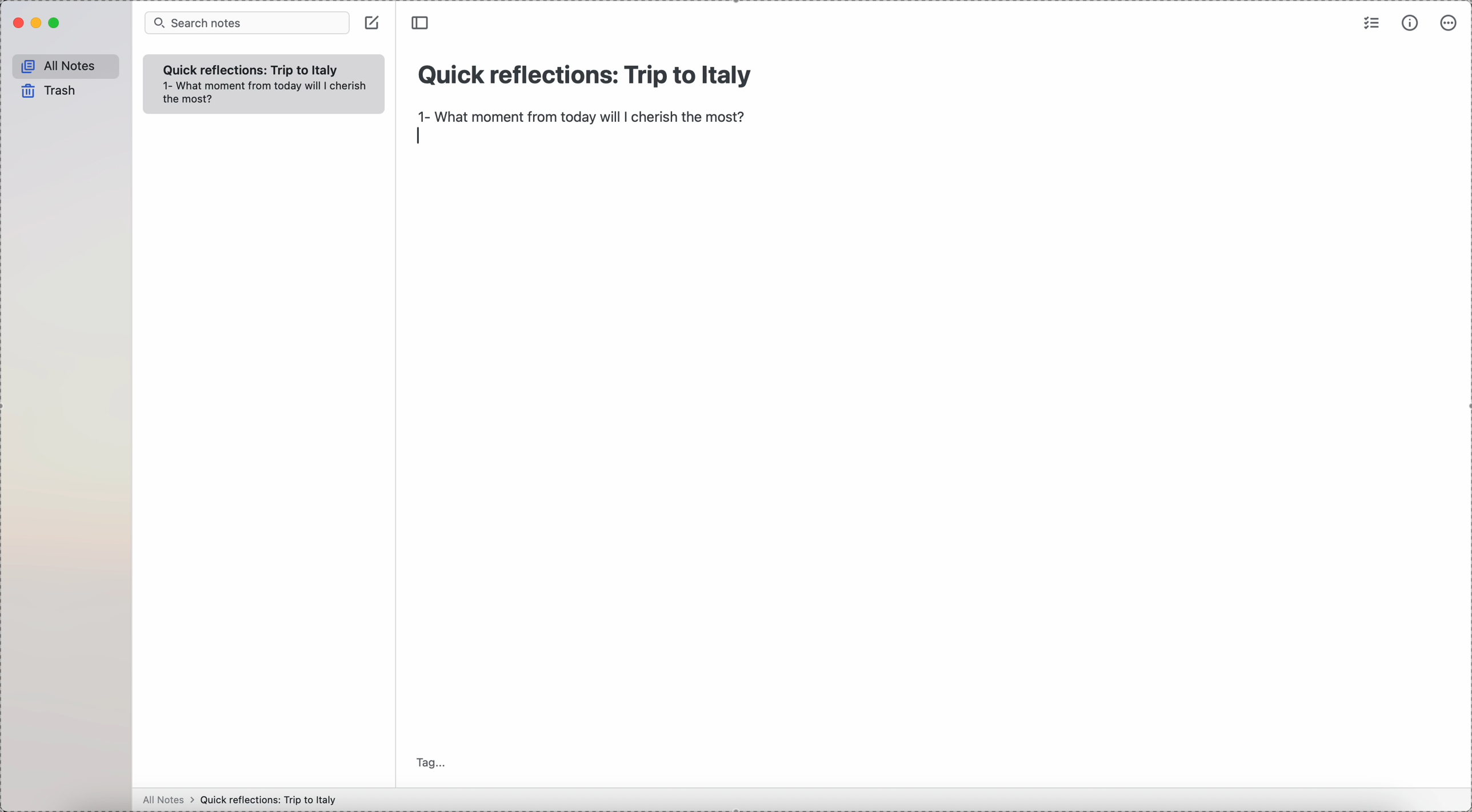  What do you see at coordinates (63, 65) in the screenshot?
I see `all notes` at bounding box center [63, 65].